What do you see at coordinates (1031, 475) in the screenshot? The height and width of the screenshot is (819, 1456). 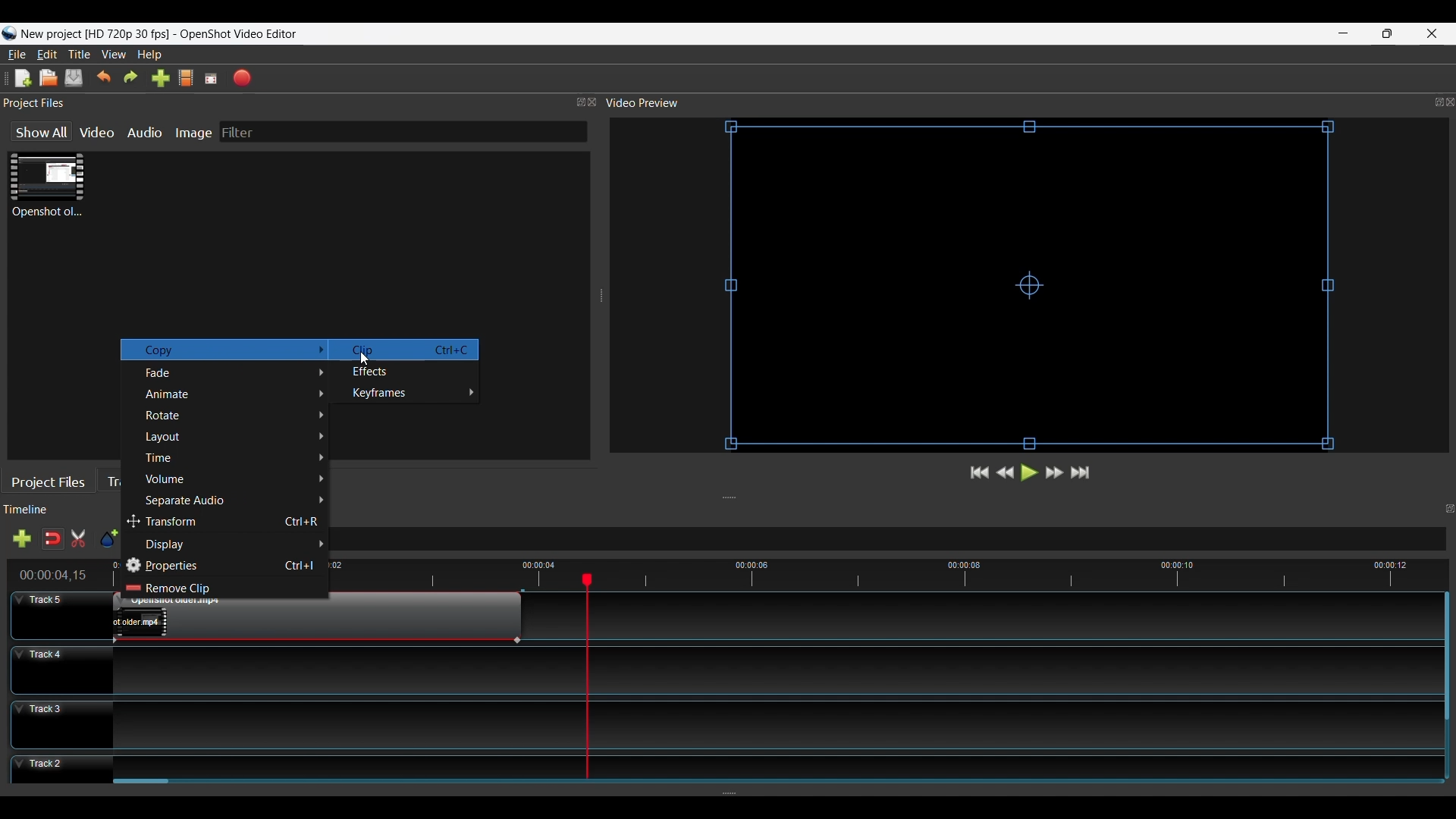 I see `Play` at bounding box center [1031, 475].